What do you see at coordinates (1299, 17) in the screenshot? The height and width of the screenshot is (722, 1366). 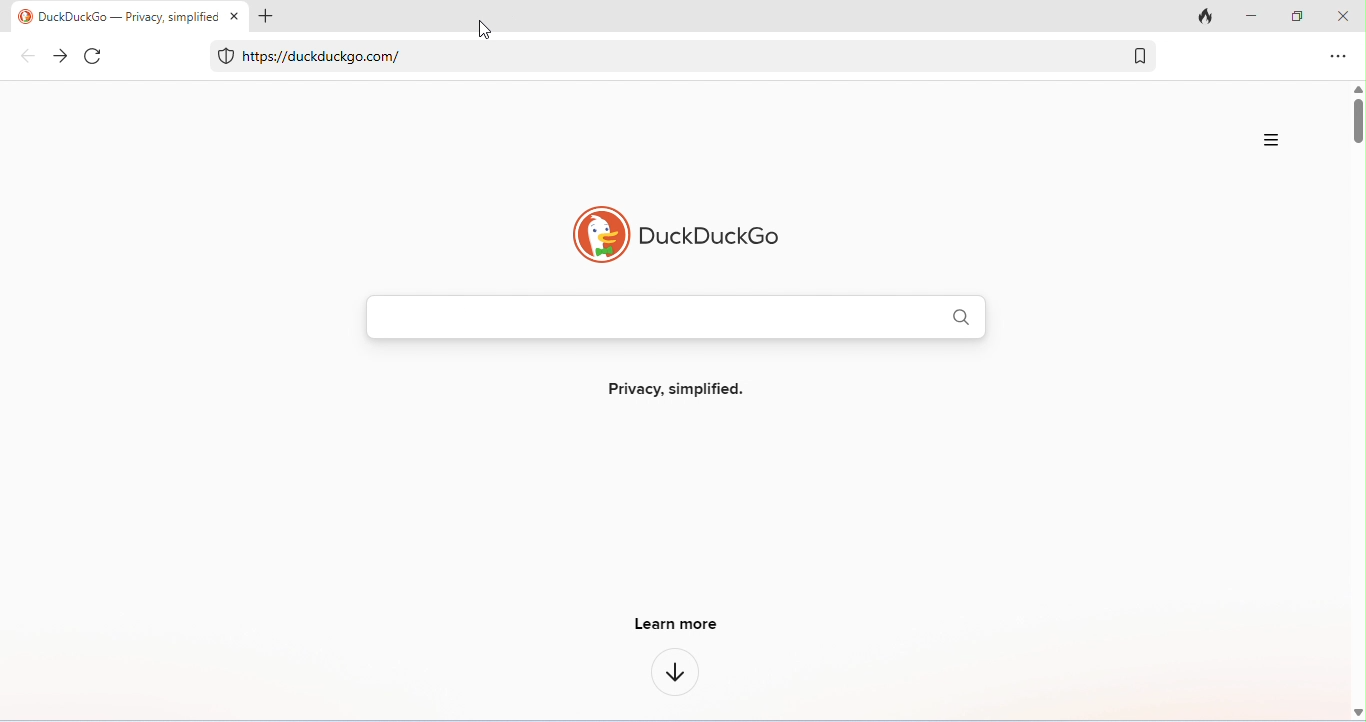 I see `maximize` at bounding box center [1299, 17].